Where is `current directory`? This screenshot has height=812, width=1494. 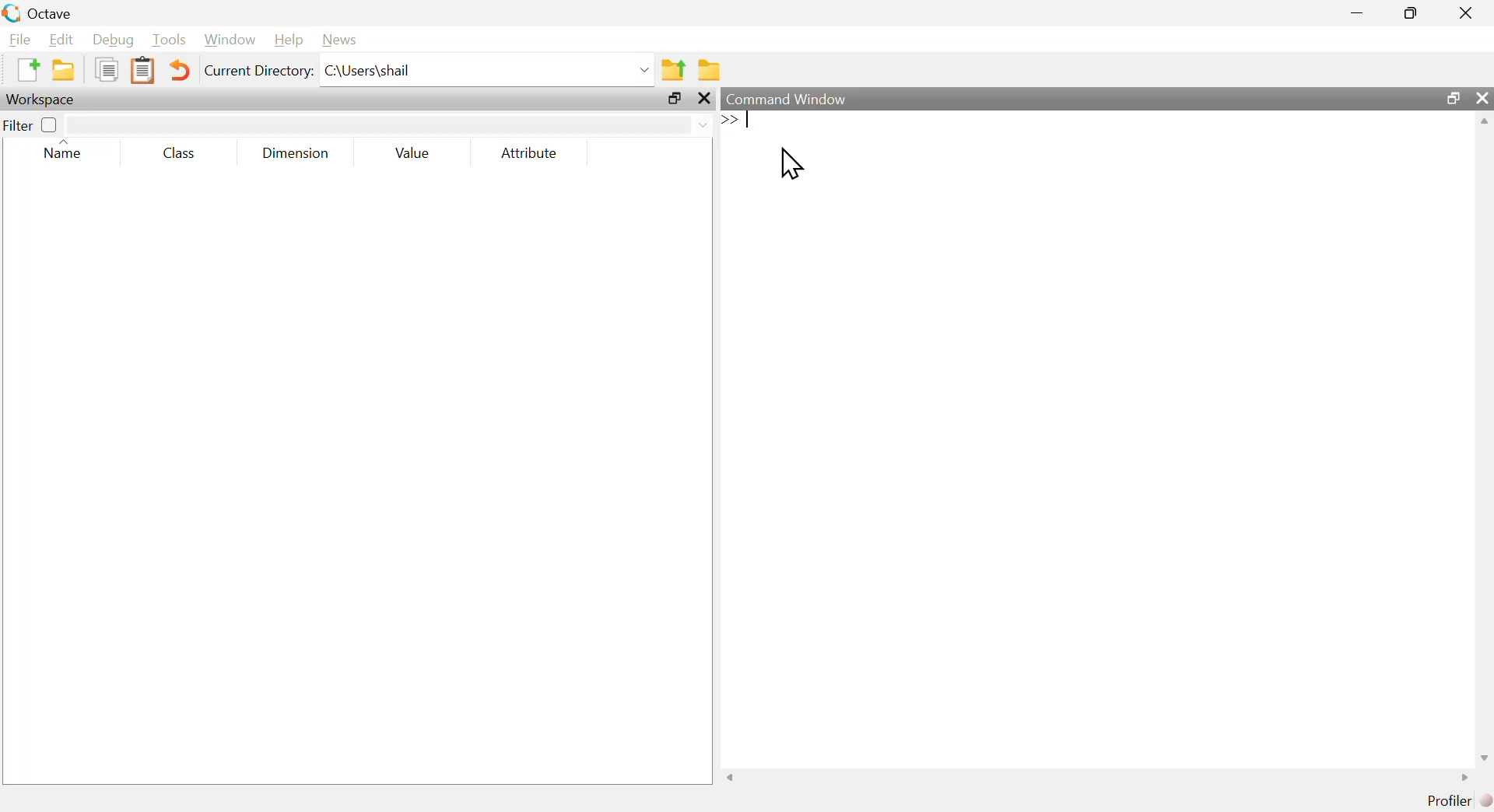 current directory is located at coordinates (258, 71).